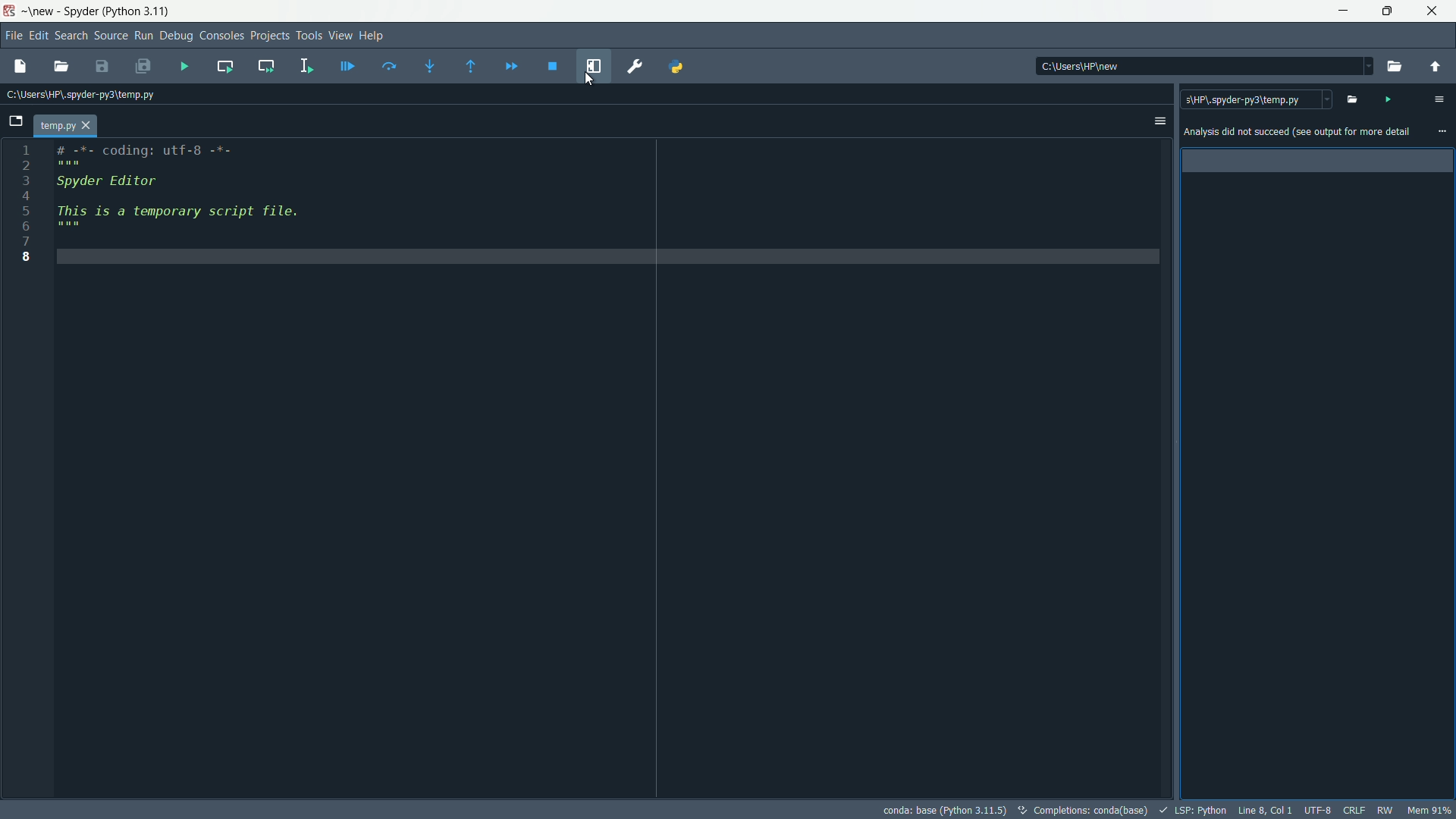 The width and height of the screenshot is (1456, 819). Describe the element at coordinates (11, 35) in the screenshot. I see `file menu` at that location.